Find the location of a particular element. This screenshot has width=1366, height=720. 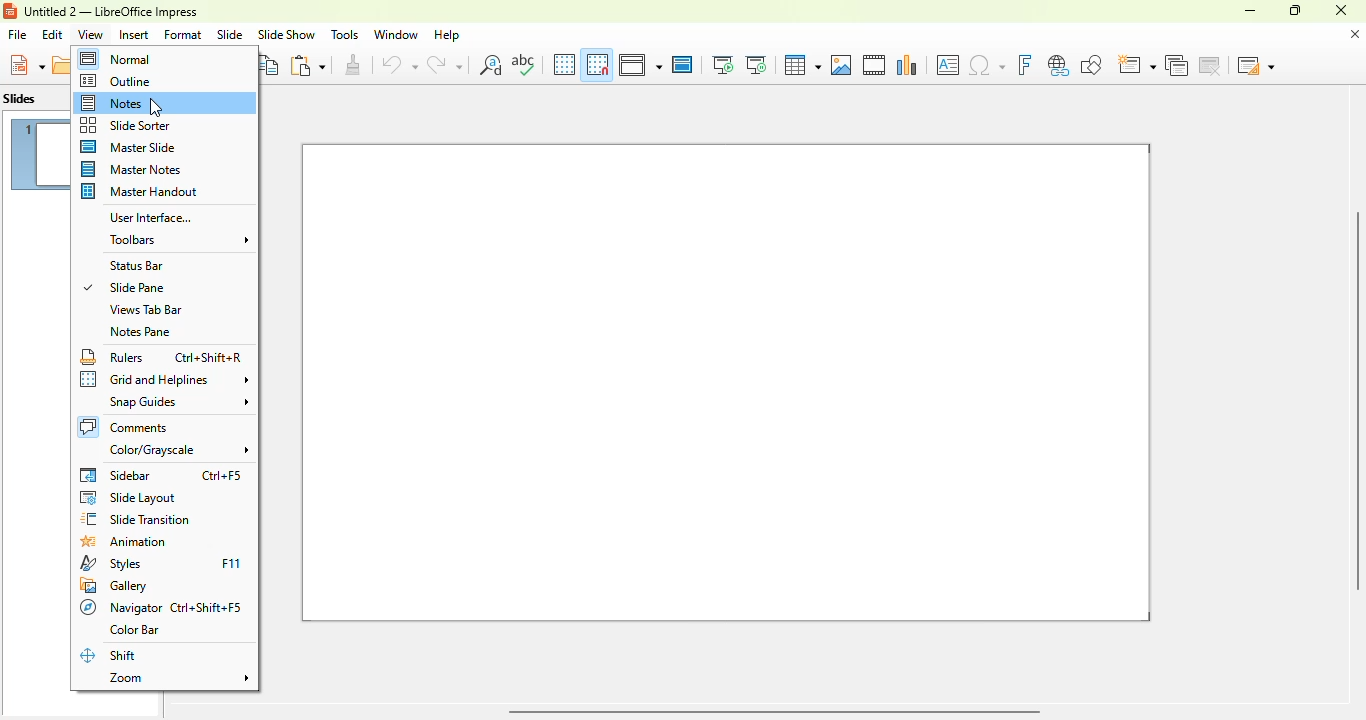

start from current slide is located at coordinates (756, 65).